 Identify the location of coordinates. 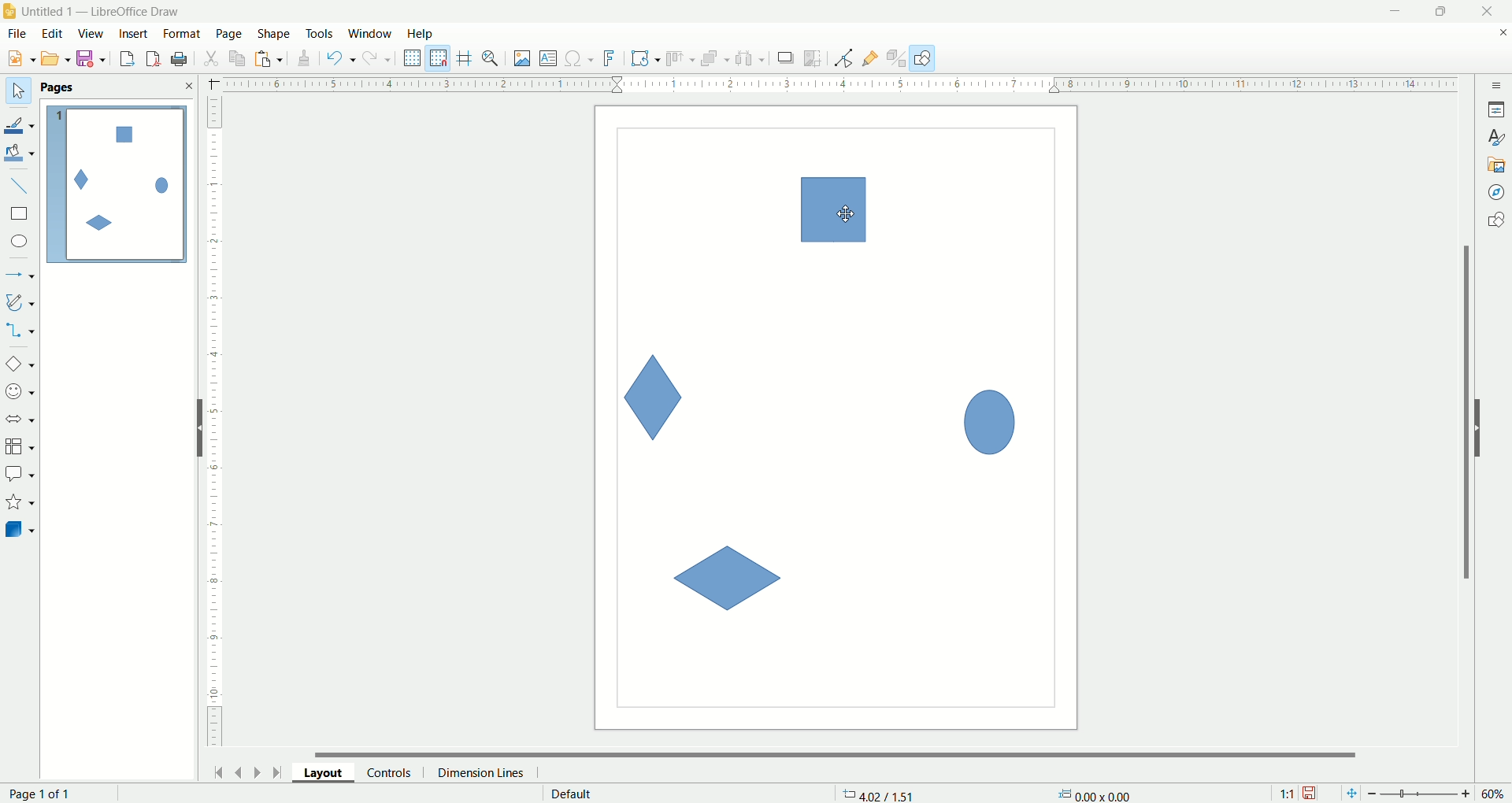
(880, 794).